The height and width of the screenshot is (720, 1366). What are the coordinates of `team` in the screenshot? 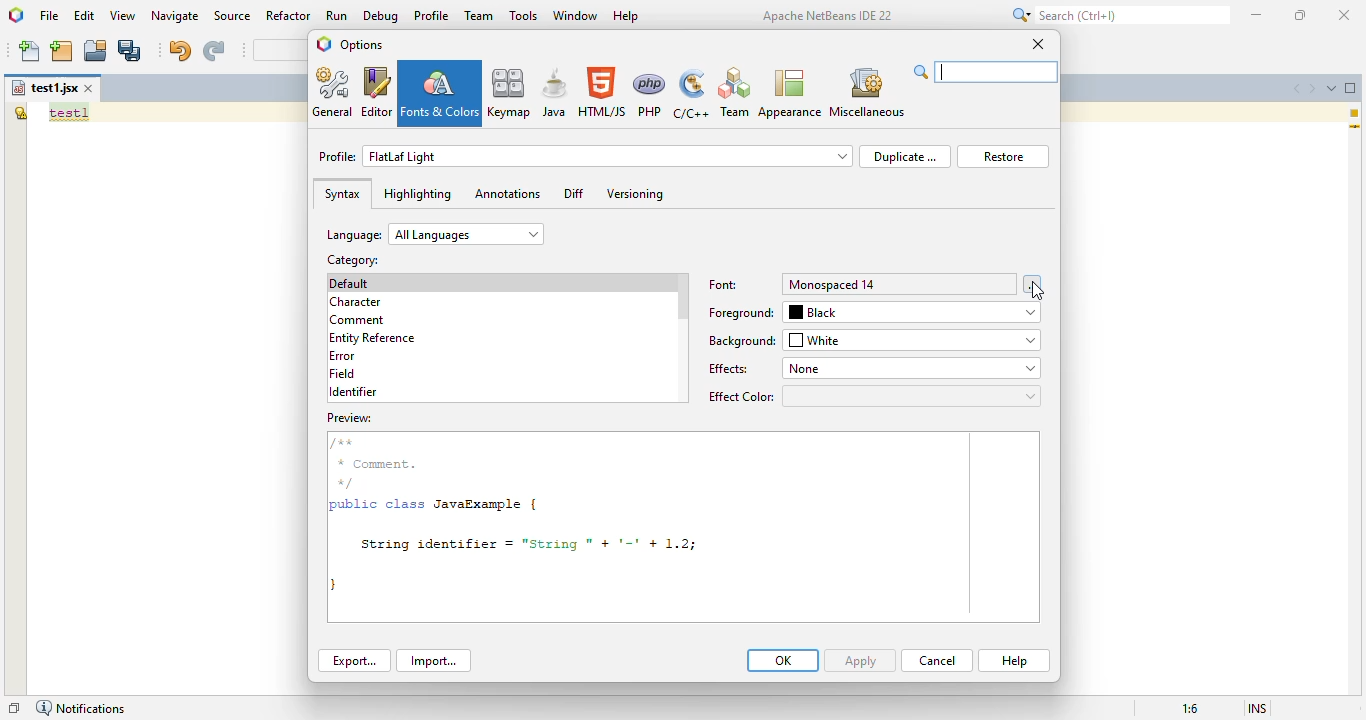 It's located at (480, 15).